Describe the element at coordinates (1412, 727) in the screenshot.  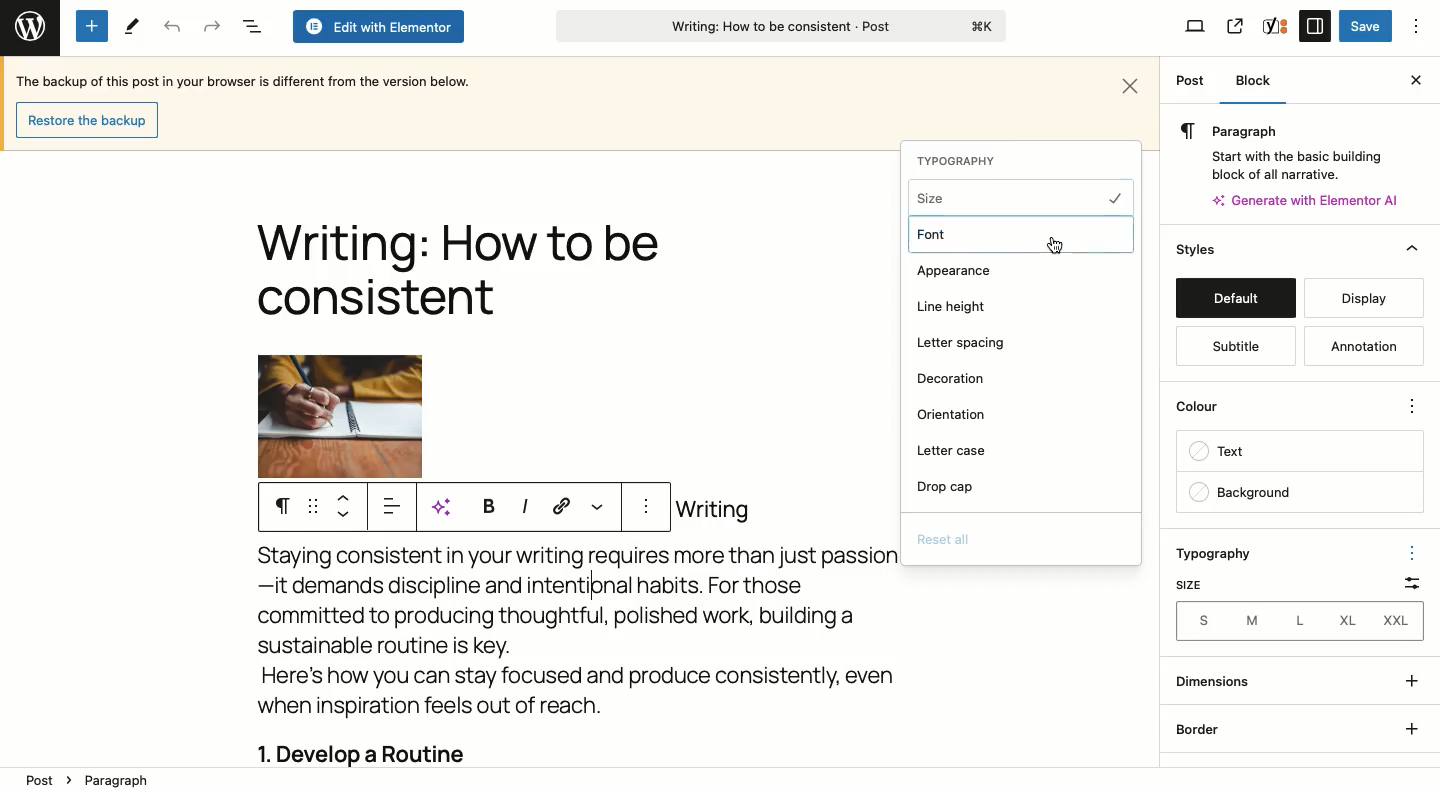
I see `+` at that location.